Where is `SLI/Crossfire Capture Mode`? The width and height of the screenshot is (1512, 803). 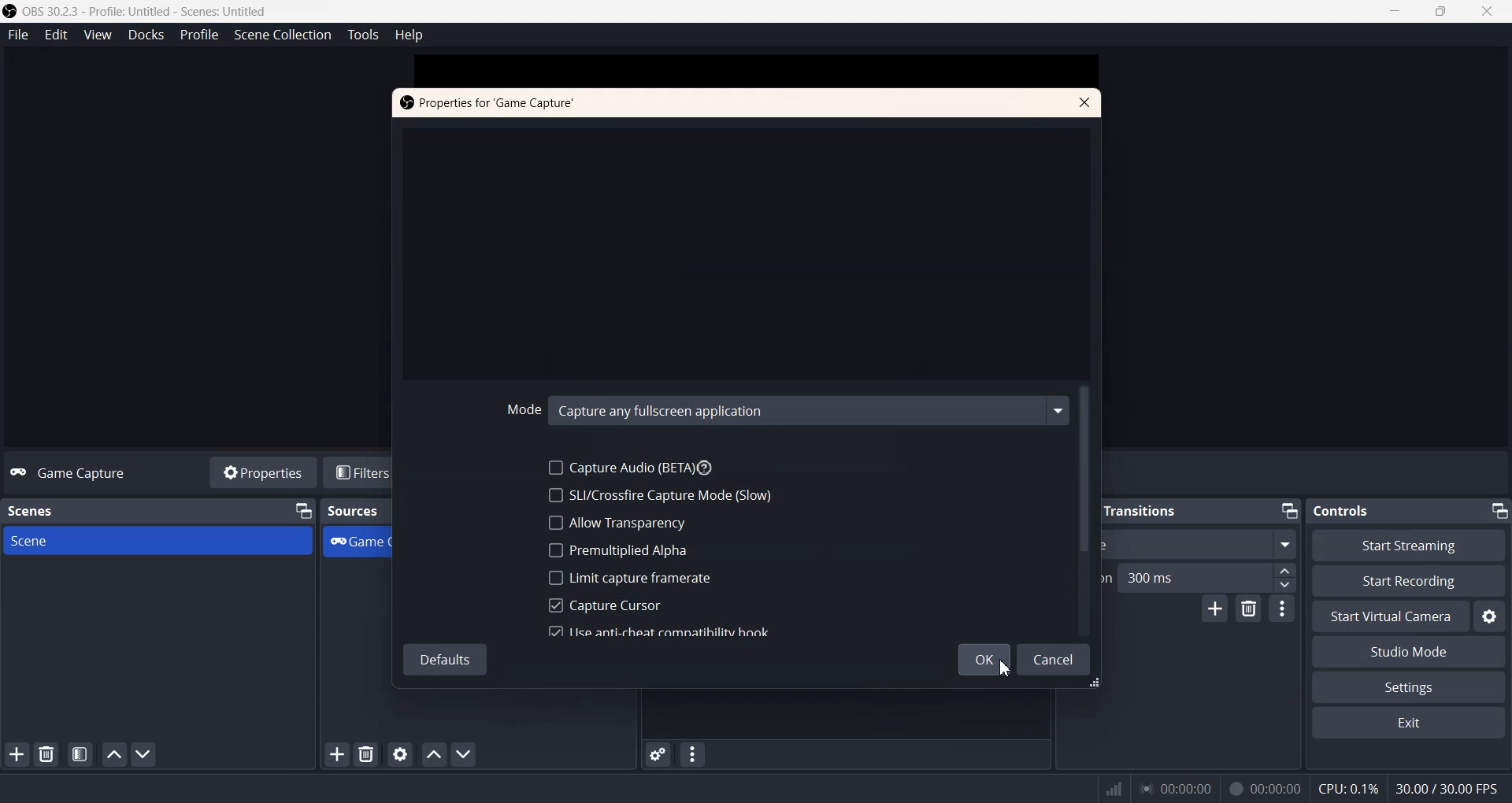 SLI/Crossfire Capture Mode is located at coordinates (660, 494).